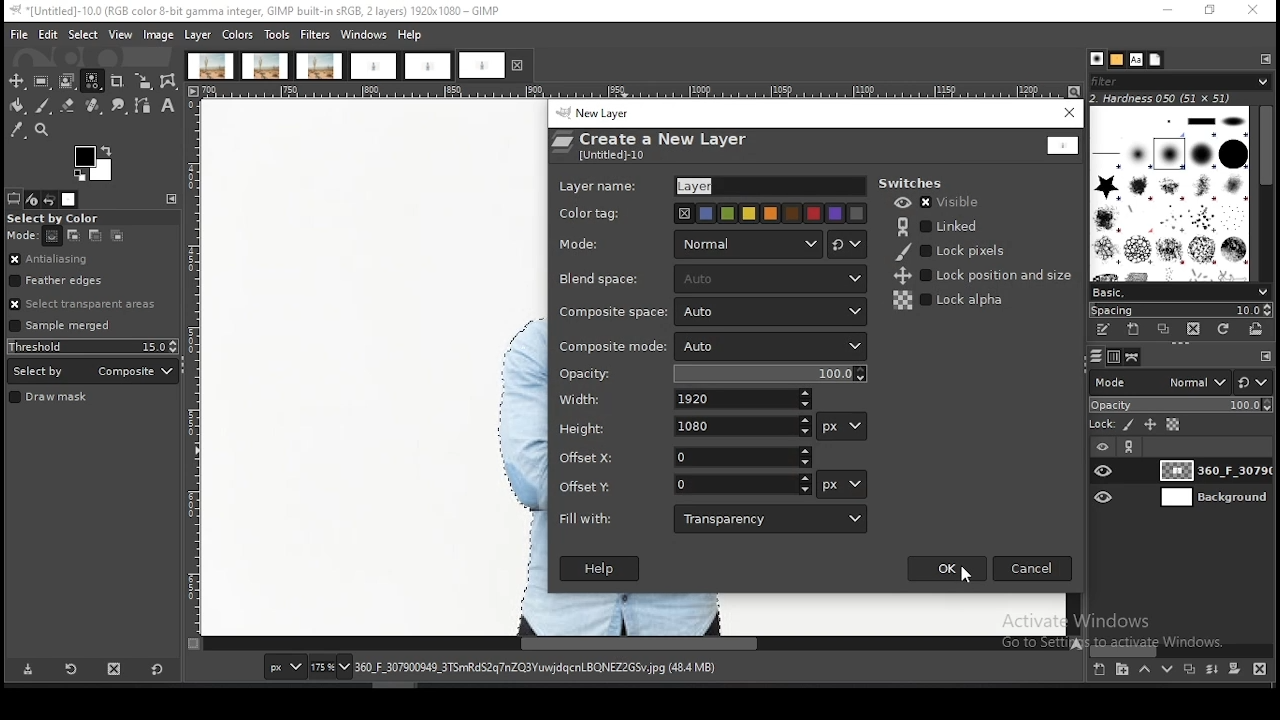 The width and height of the screenshot is (1280, 720). I want to click on zoom tool, so click(40, 128).